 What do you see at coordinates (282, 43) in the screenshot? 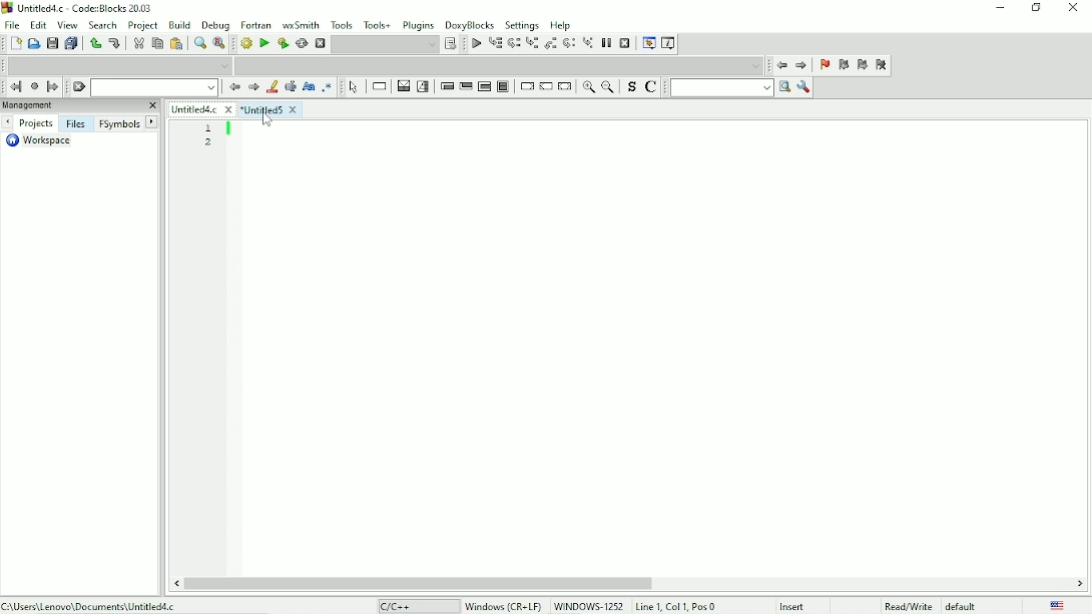
I see `Build and run` at bounding box center [282, 43].